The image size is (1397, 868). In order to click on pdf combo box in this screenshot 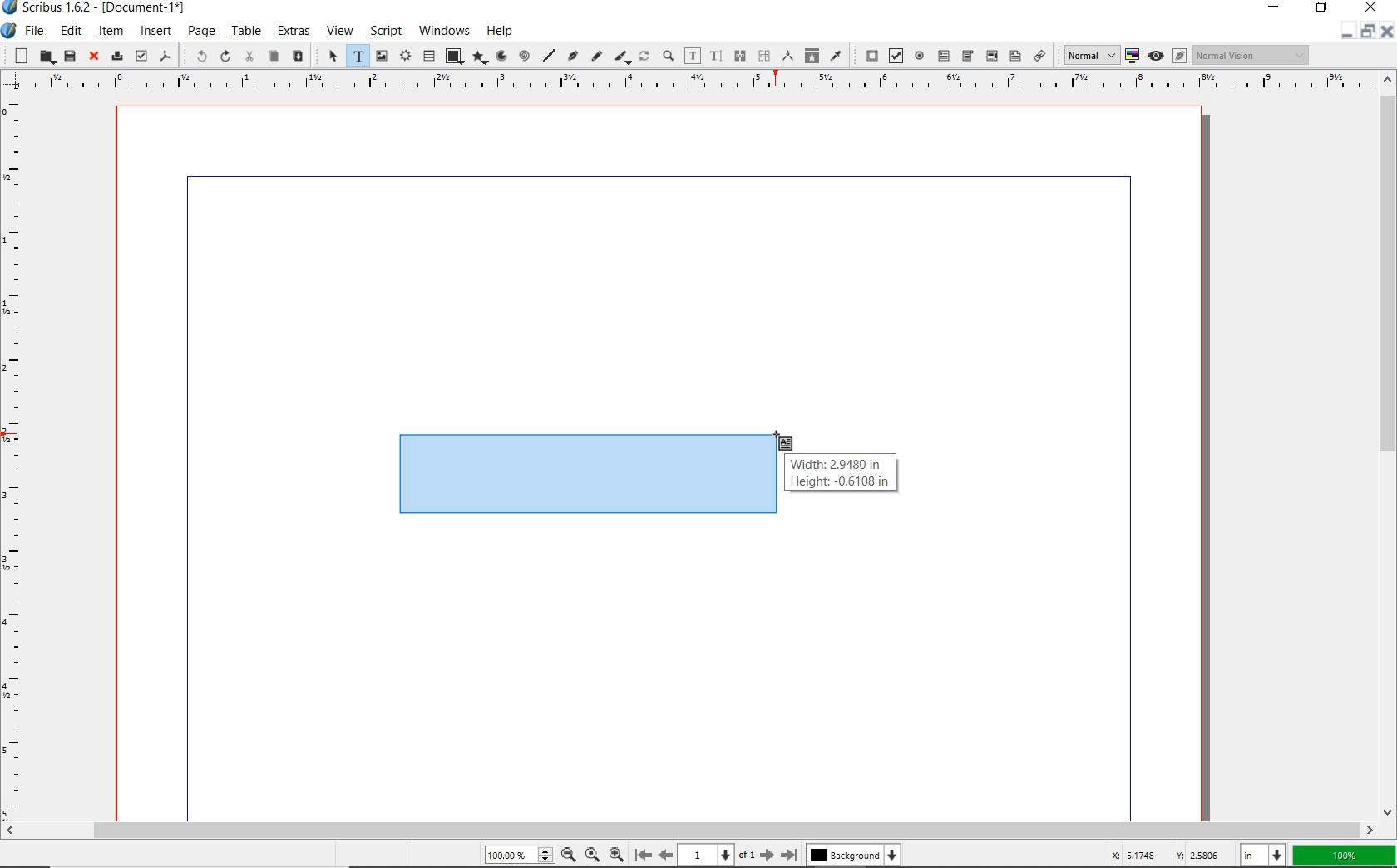, I will do `click(967, 56)`.